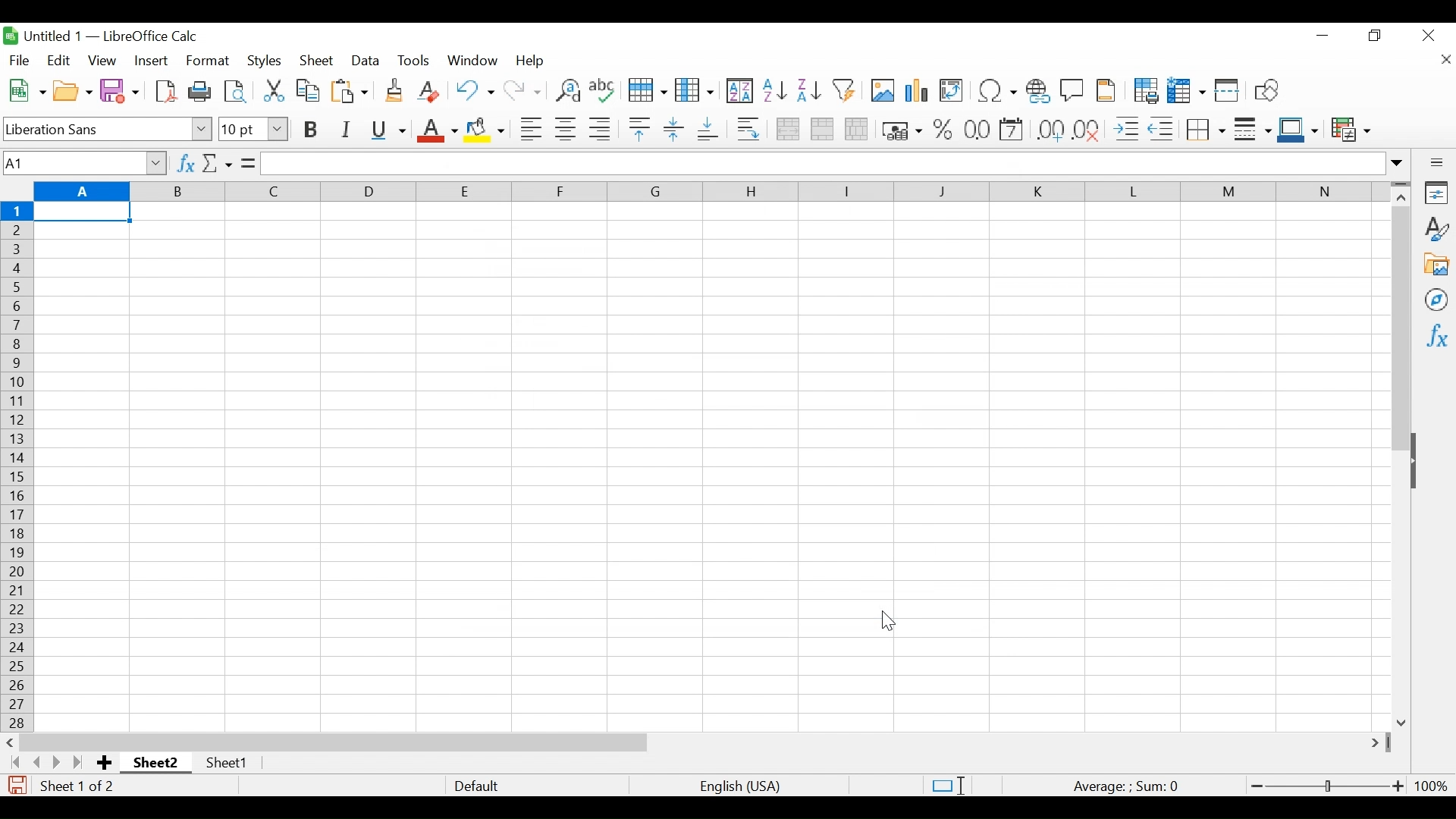 Image resolution: width=1456 pixels, height=819 pixels. Describe the element at coordinates (1431, 784) in the screenshot. I see `100%` at that location.